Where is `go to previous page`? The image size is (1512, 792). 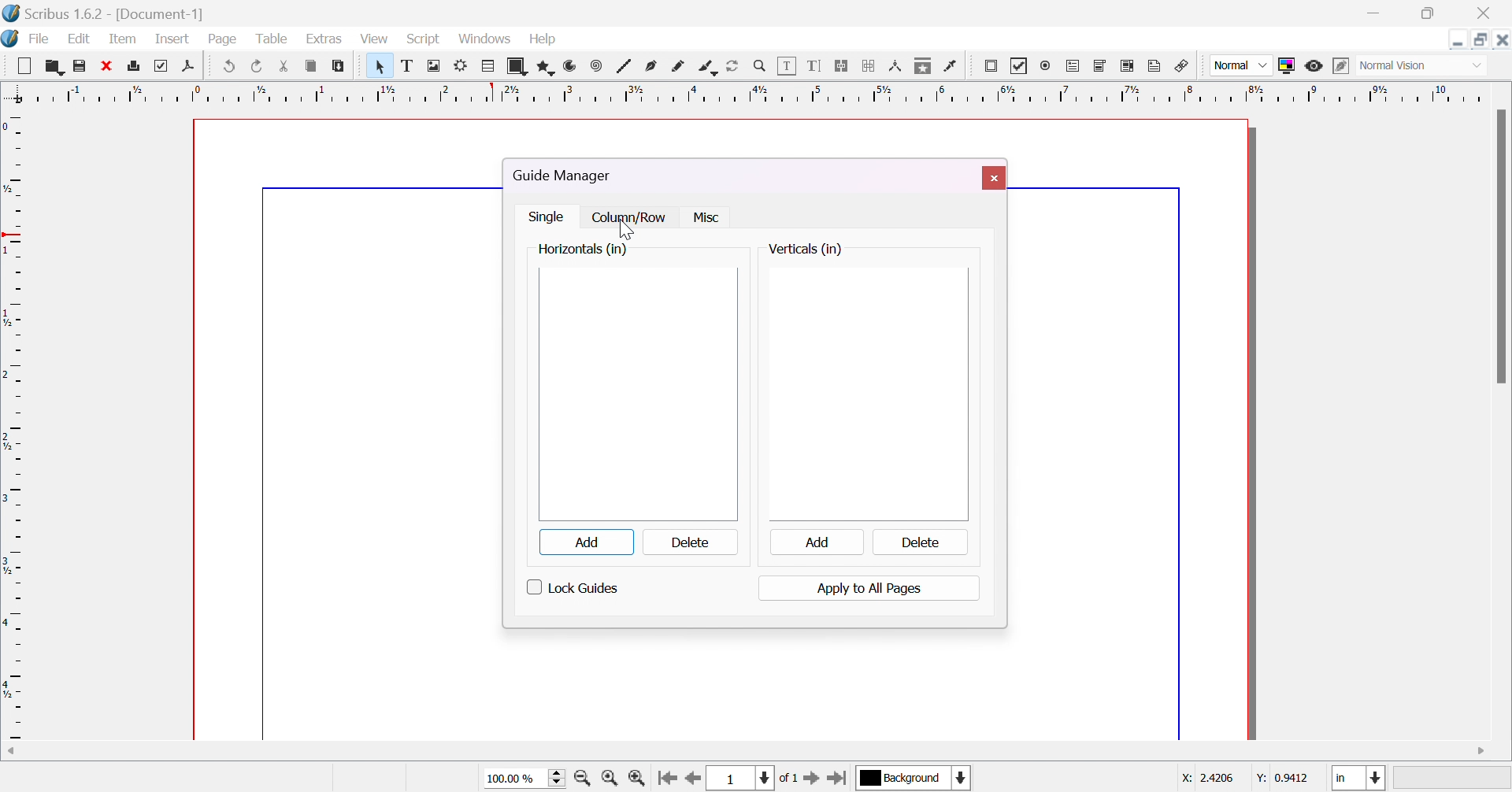 go to previous page is located at coordinates (693, 779).